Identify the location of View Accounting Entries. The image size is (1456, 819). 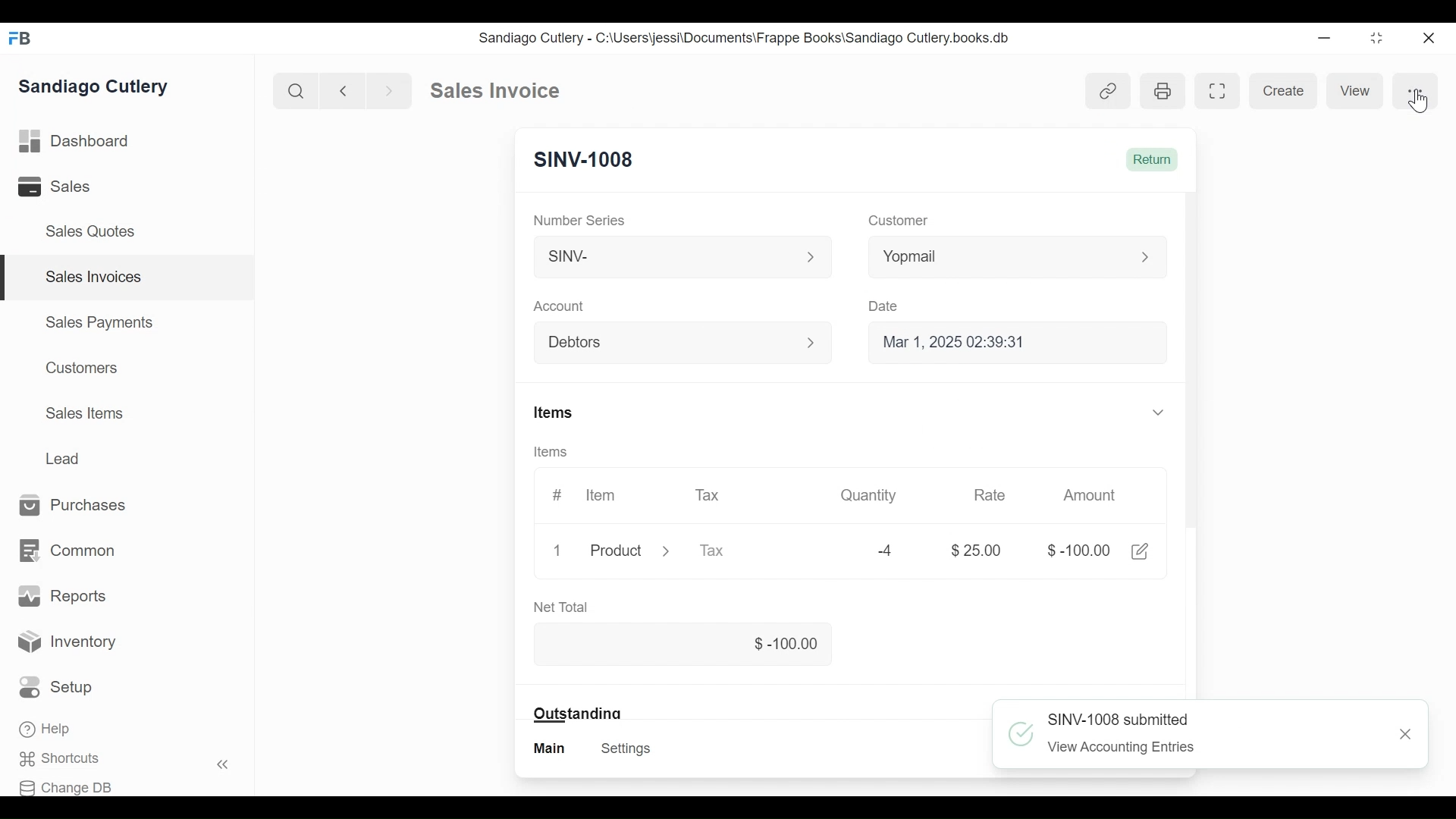
(1122, 747).